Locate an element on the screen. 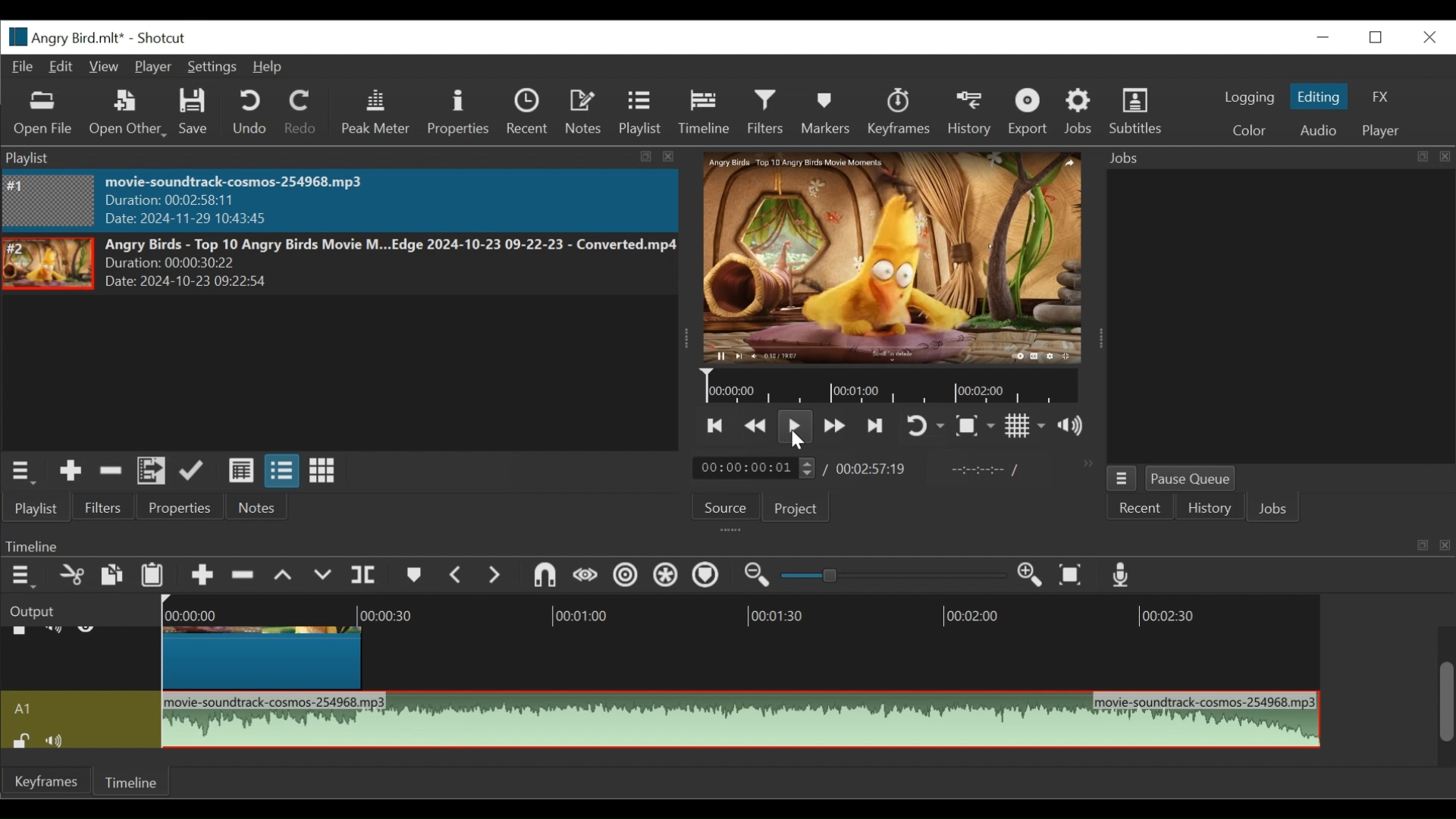 The width and height of the screenshot is (1456, 819). Recent is located at coordinates (1136, 510).